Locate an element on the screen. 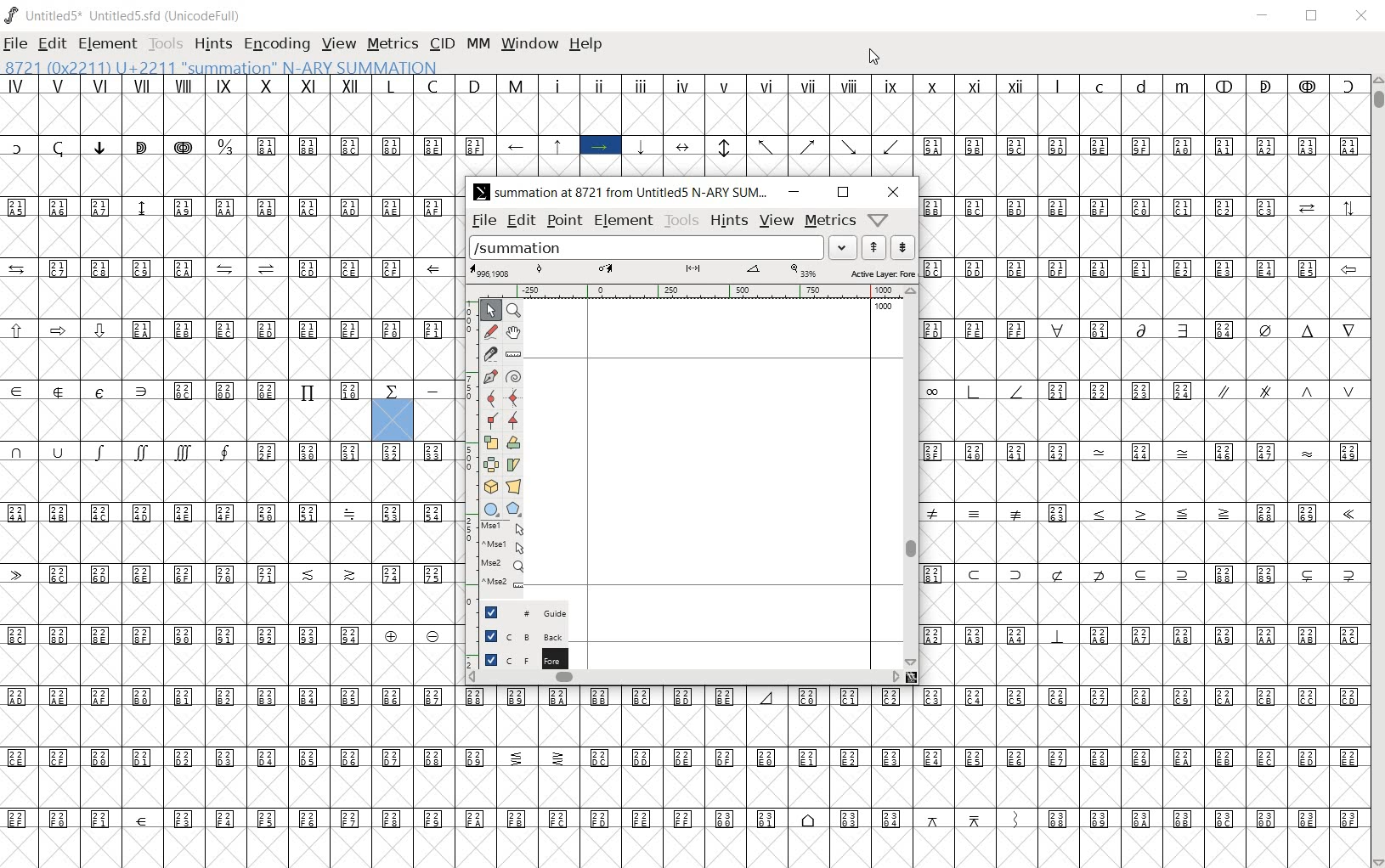 This screenshot has width=1385, height=868. add a curve point always either horizontal or vertical is located at coordinates (513, 398).